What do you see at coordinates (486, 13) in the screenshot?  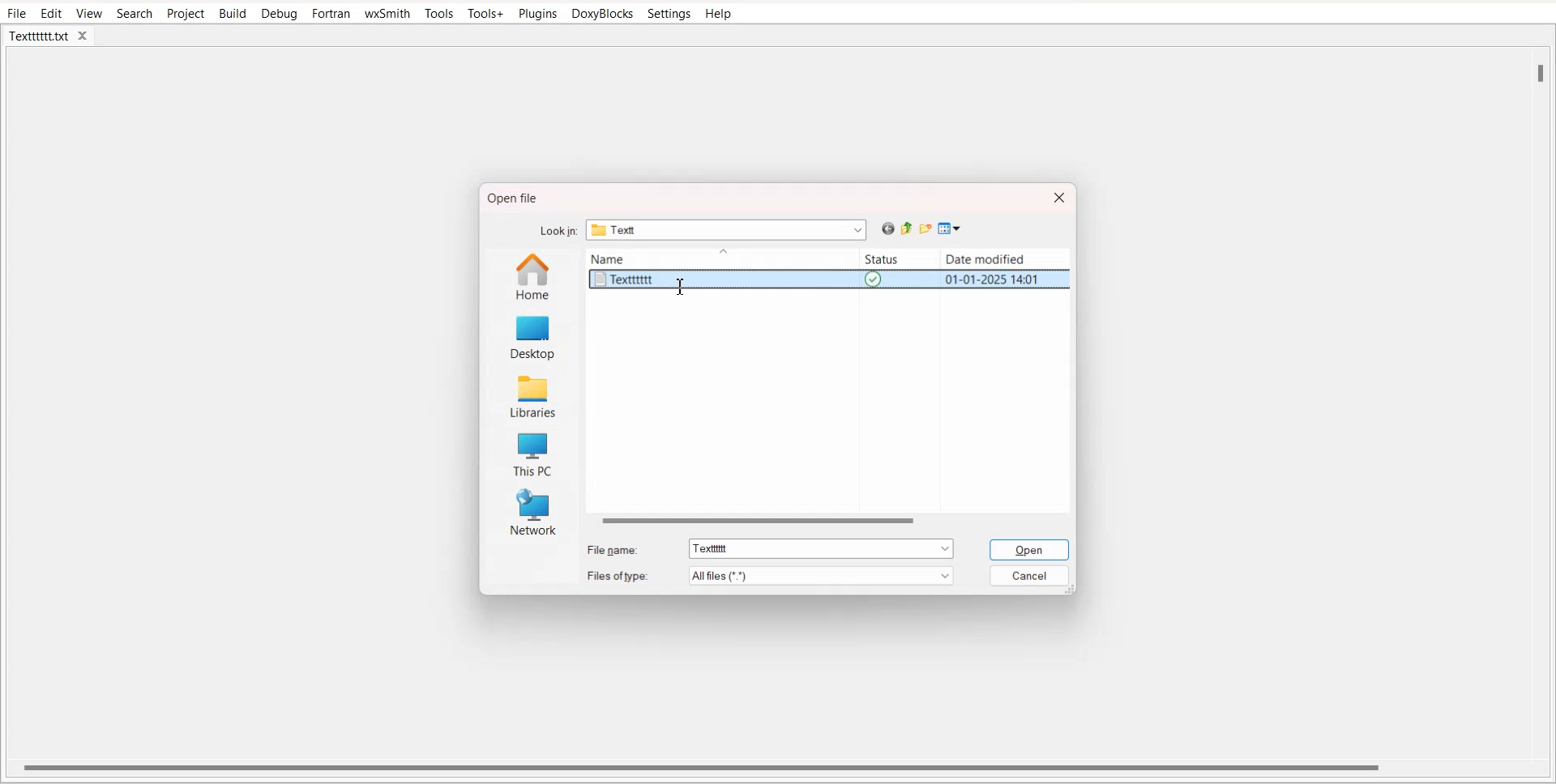 I see `Tools+` at bounding box center [486, 13].